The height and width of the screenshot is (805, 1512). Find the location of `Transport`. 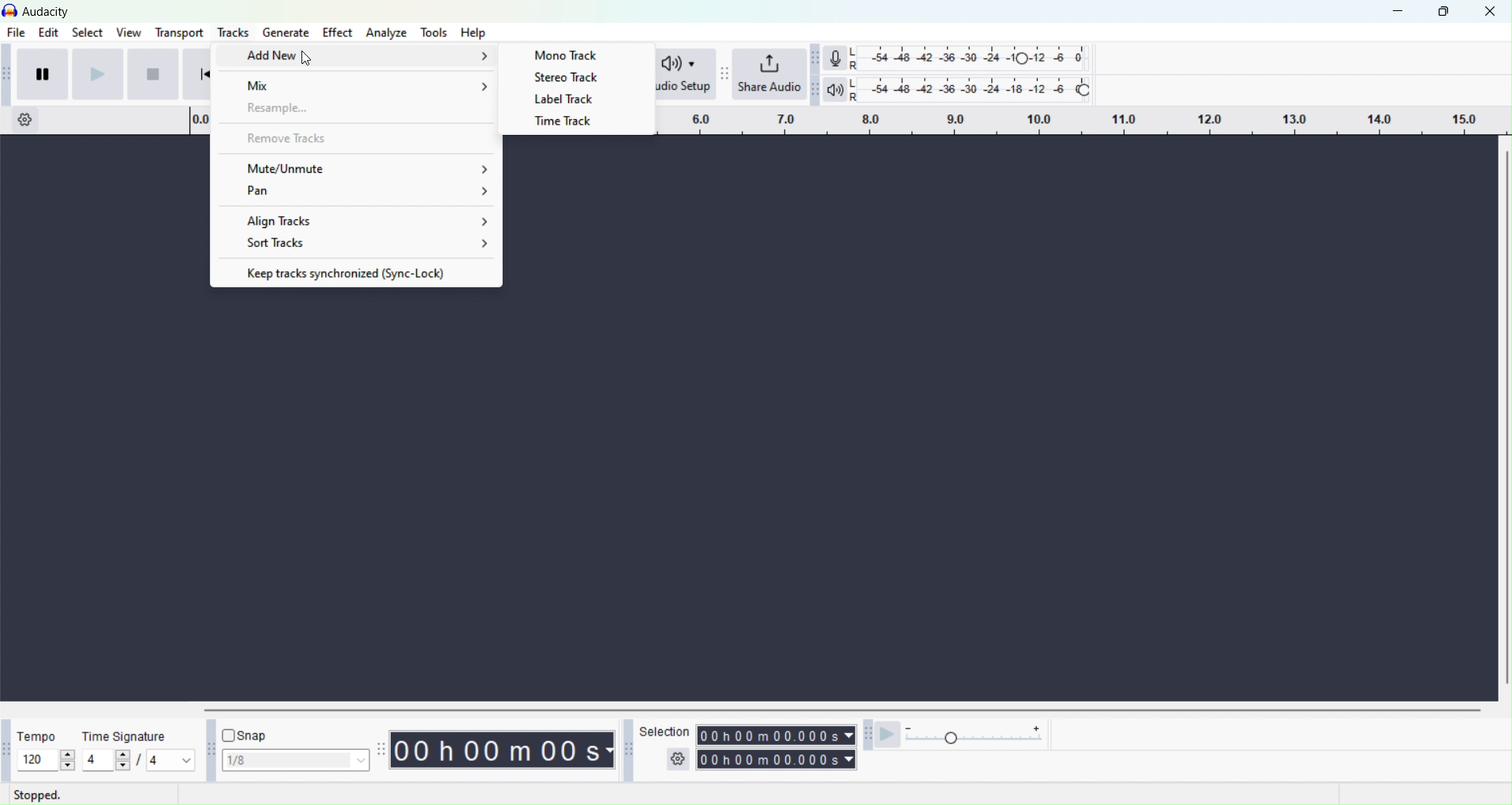

Transport is located at coordinates (182, 32).